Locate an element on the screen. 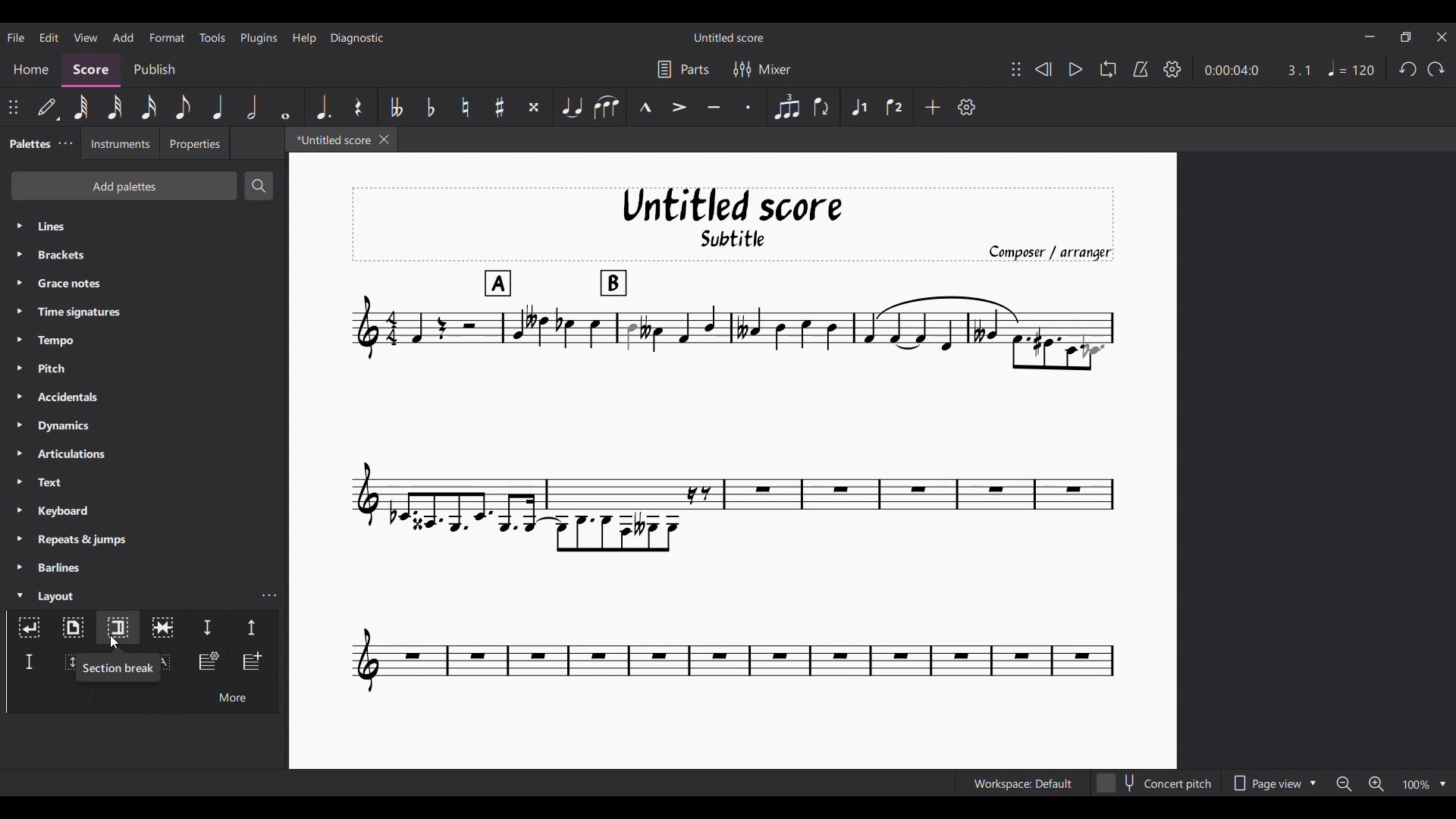 This screenshot has width=1456, height=819. Staff spacer down is located at coordinates (207, 627).